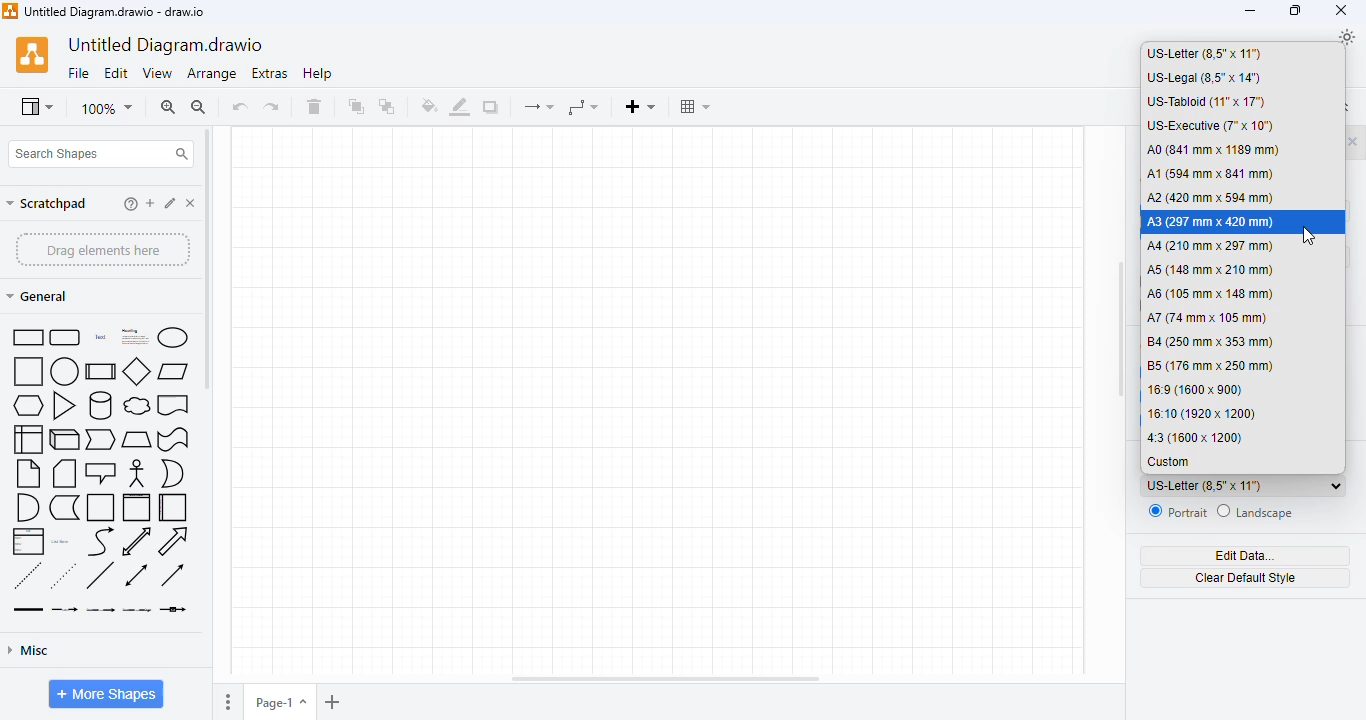  What do you see at coordinates (64, 439) in the screenshot?
I see `cube` at bounding box center [64, 439].